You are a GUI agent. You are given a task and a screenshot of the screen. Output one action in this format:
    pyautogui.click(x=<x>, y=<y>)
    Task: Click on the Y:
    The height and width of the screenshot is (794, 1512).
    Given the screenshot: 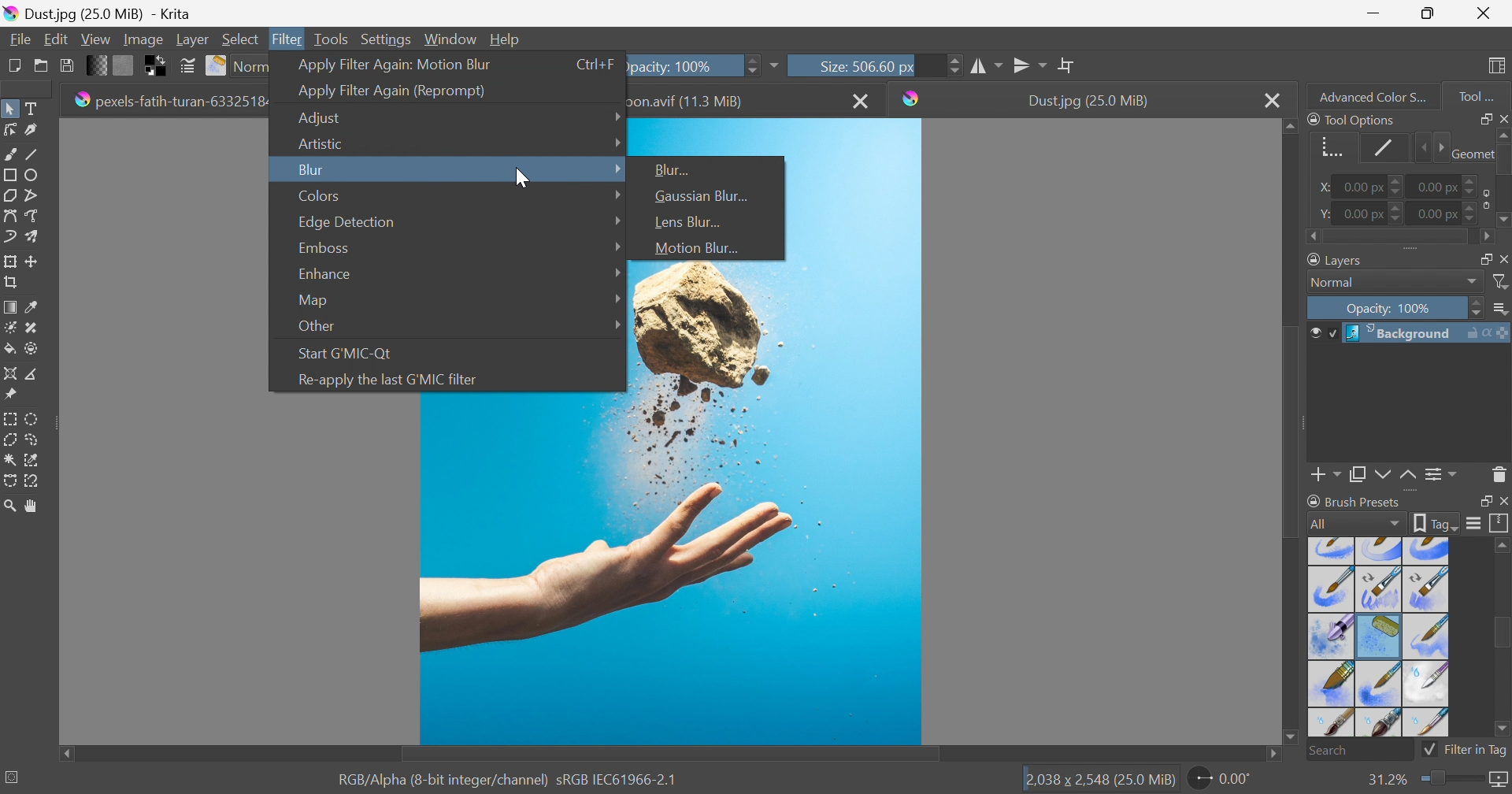 What is the action you would take?
    pyautogui.click(x=1322, y=213)
    